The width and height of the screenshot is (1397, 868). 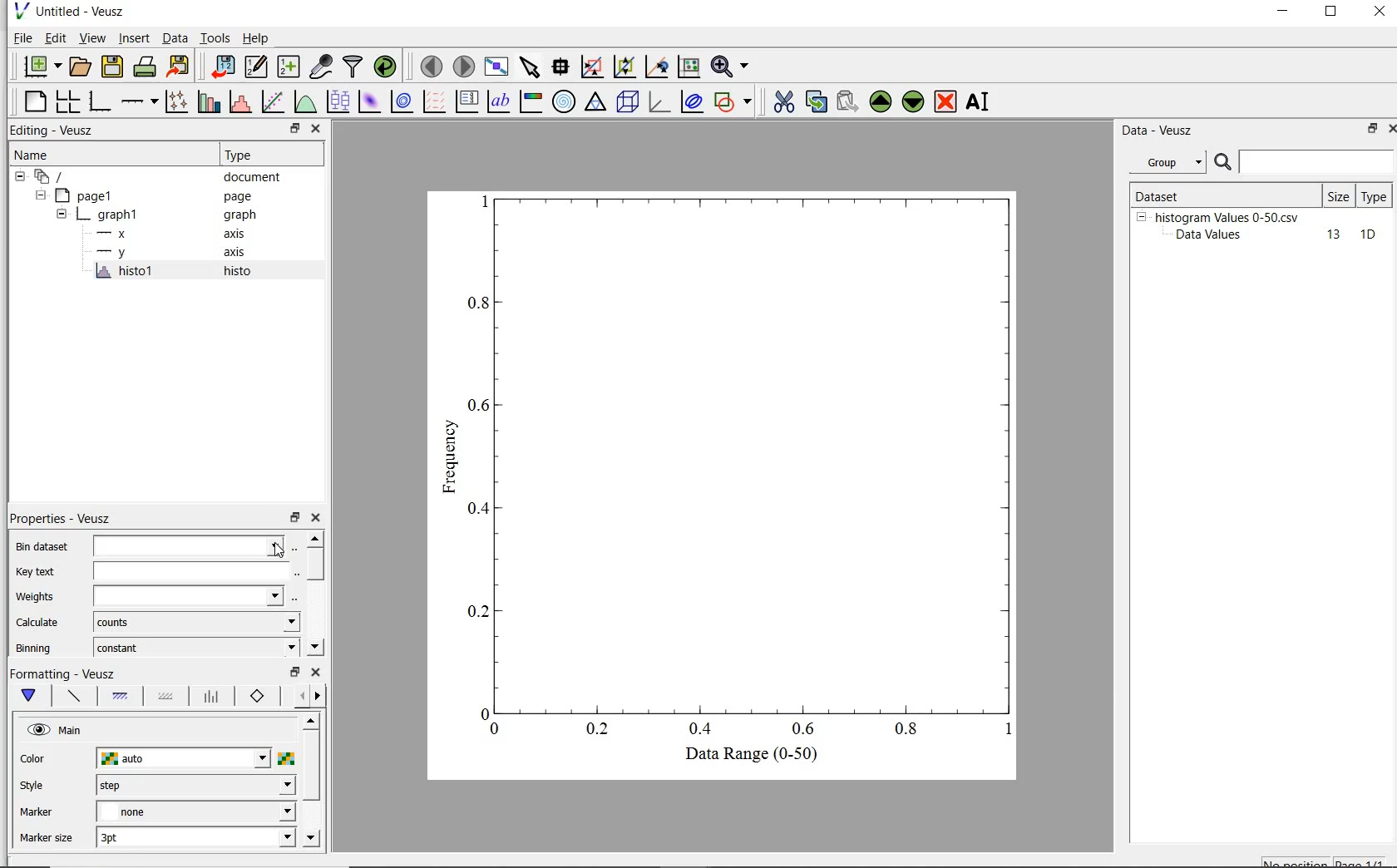 What do you see at coordinates (38, 597) in the screenshot?
I see `Weights` at bounding box center [38, 597].